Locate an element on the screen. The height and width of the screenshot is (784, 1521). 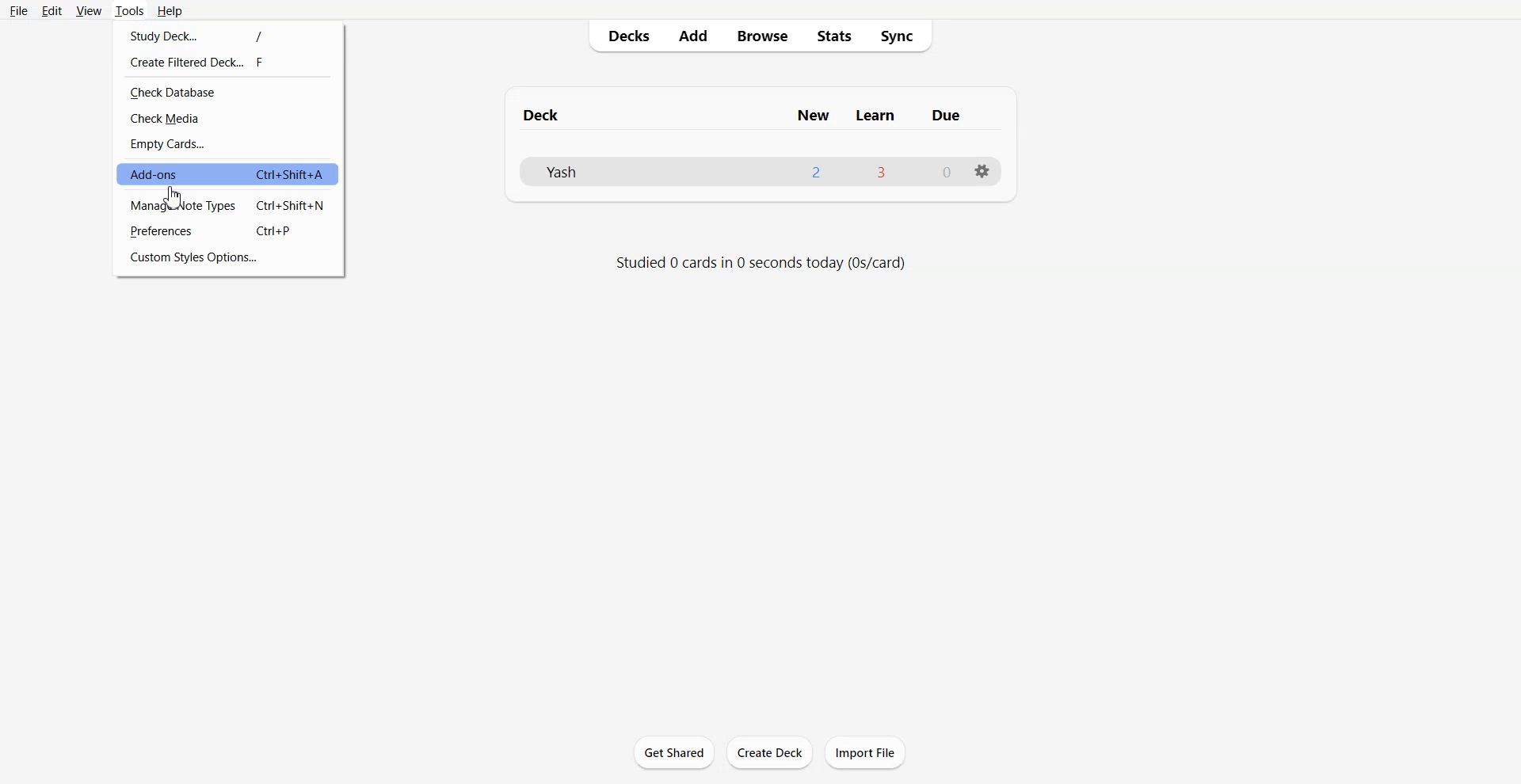
Browse is located at coordinates (763, 36).